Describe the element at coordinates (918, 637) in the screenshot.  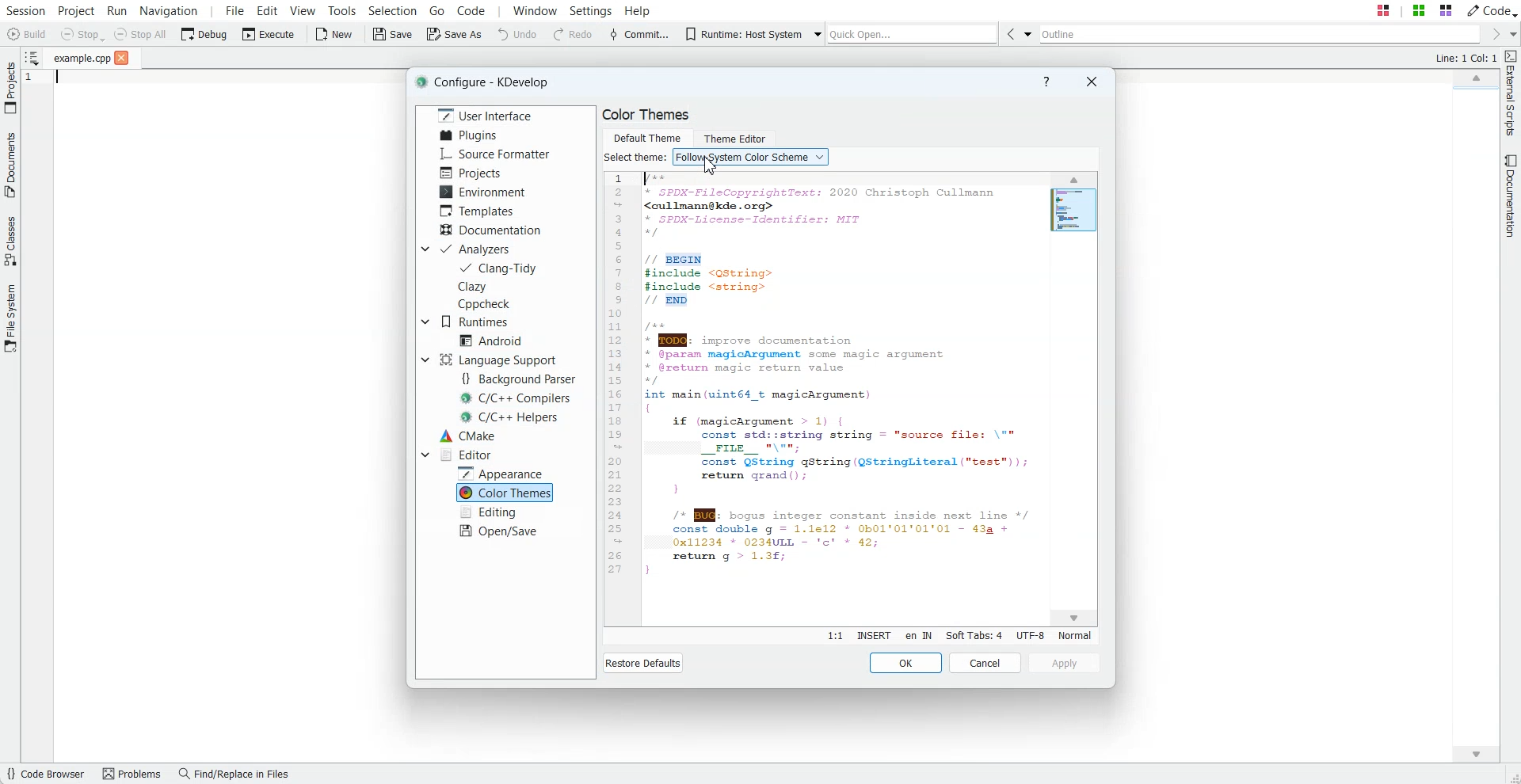
I see `en IN` at that location.